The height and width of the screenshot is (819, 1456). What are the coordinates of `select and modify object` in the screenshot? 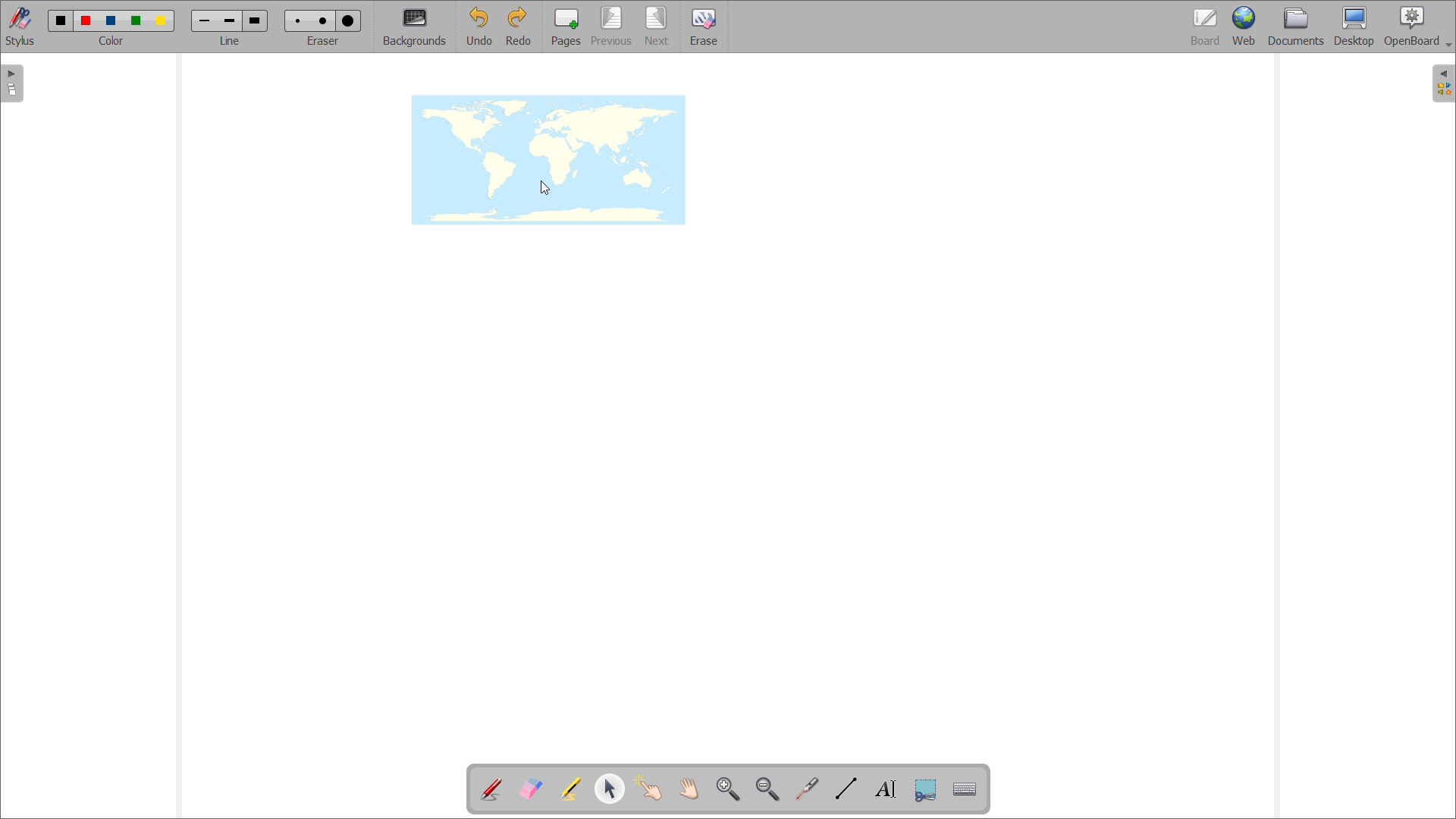 It's located at (610, 789).